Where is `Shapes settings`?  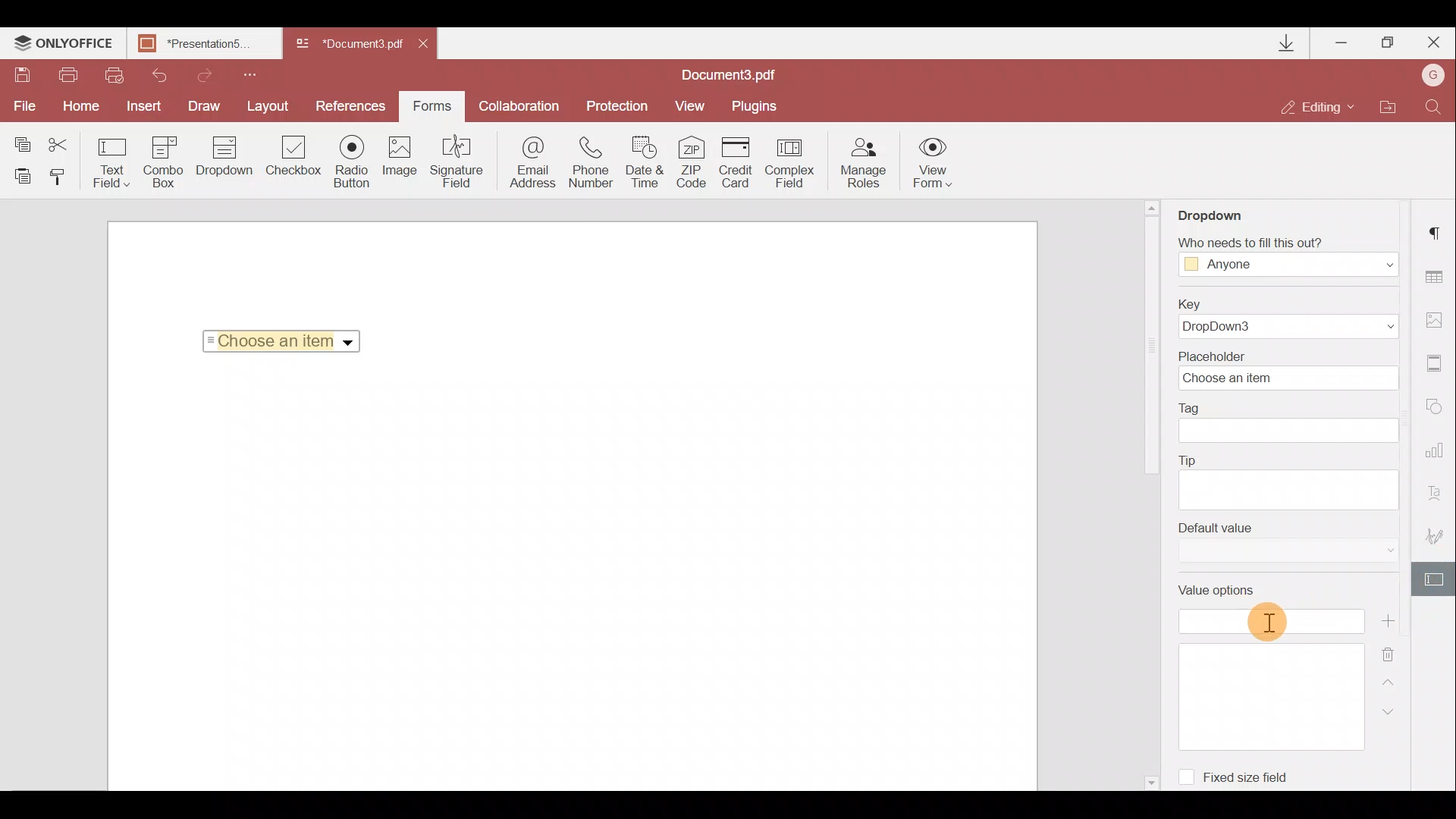
Shapes settings is located at coordinates (1439, 408).